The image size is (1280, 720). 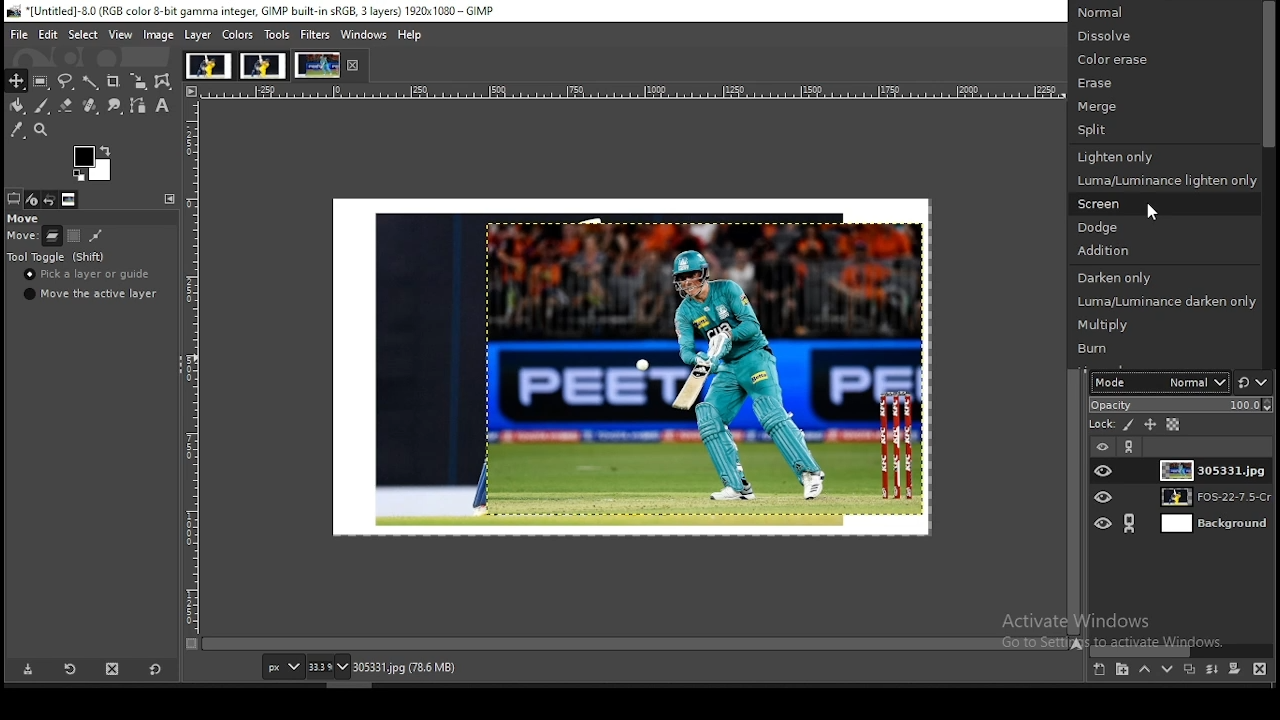 What do you see at coordinates (73, 236) in the screenshot?
I see `move selection` at bounding box center [73, 236].